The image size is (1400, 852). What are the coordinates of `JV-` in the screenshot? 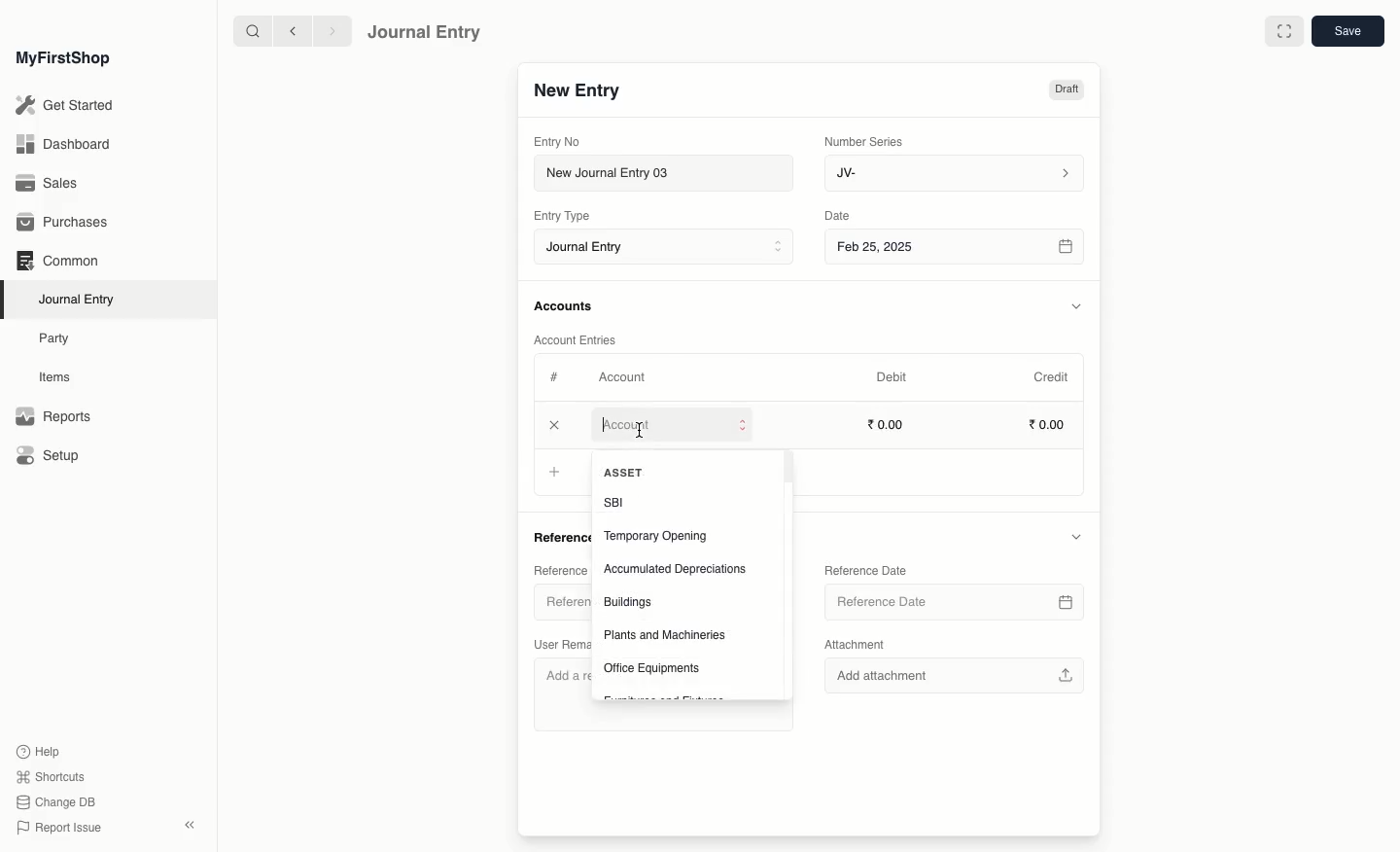 It's located at (952, 173).